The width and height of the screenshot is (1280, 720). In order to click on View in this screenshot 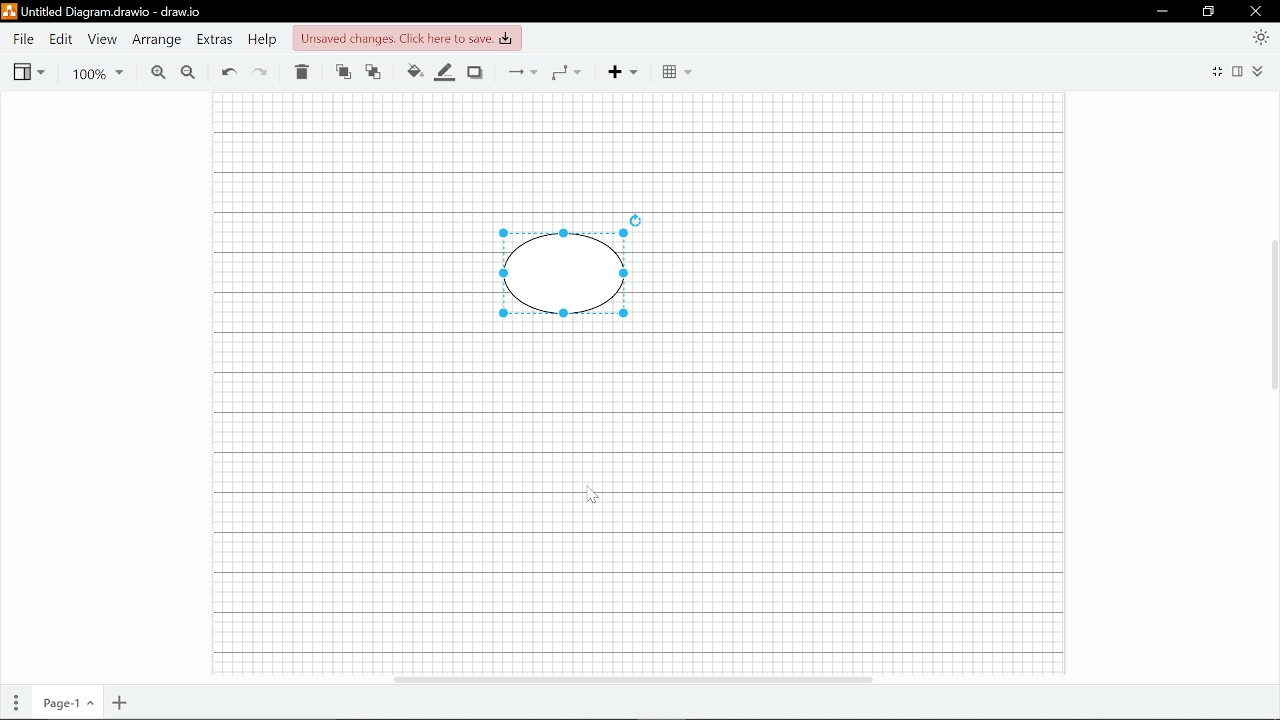, I will do `click(102, 40)`.